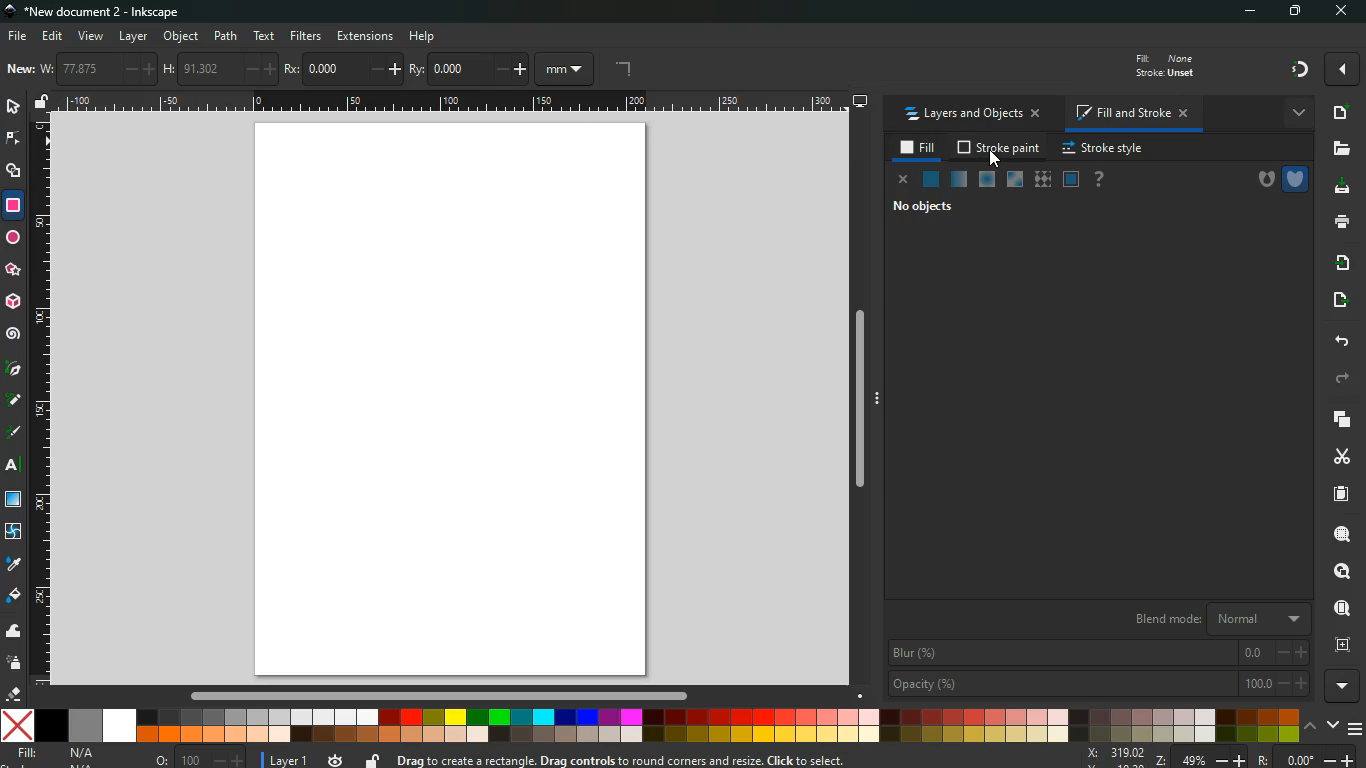 The width and height of the screenshot is (1366, 768). Describe the element at coordinates (1341, 686) in the screenshot. I see `more` at that location.